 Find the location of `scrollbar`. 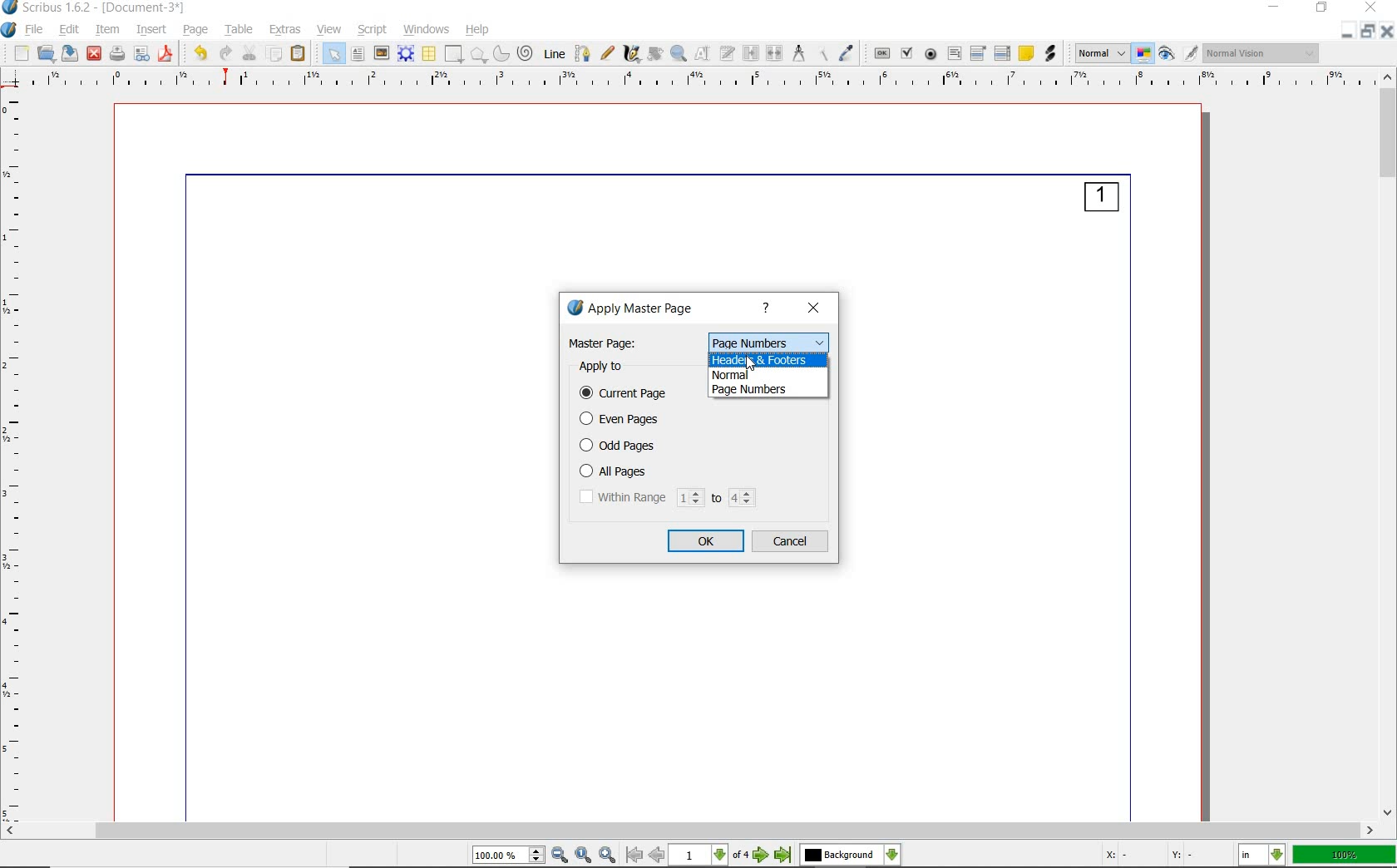

scrollbar is located at coordinates (1388, 446).